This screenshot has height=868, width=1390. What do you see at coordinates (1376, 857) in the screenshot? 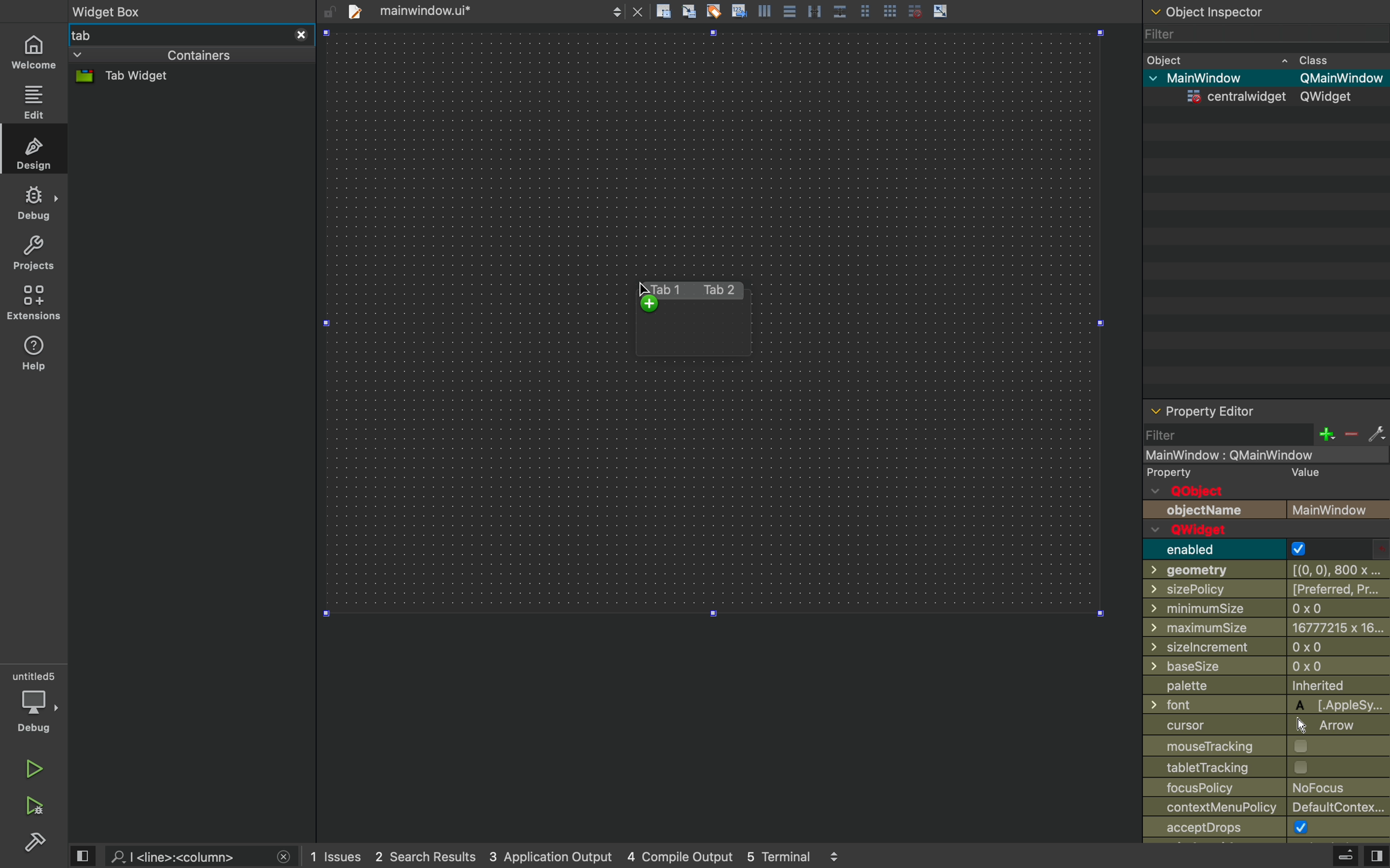
I see `view` at bounding box center [1376, 857].